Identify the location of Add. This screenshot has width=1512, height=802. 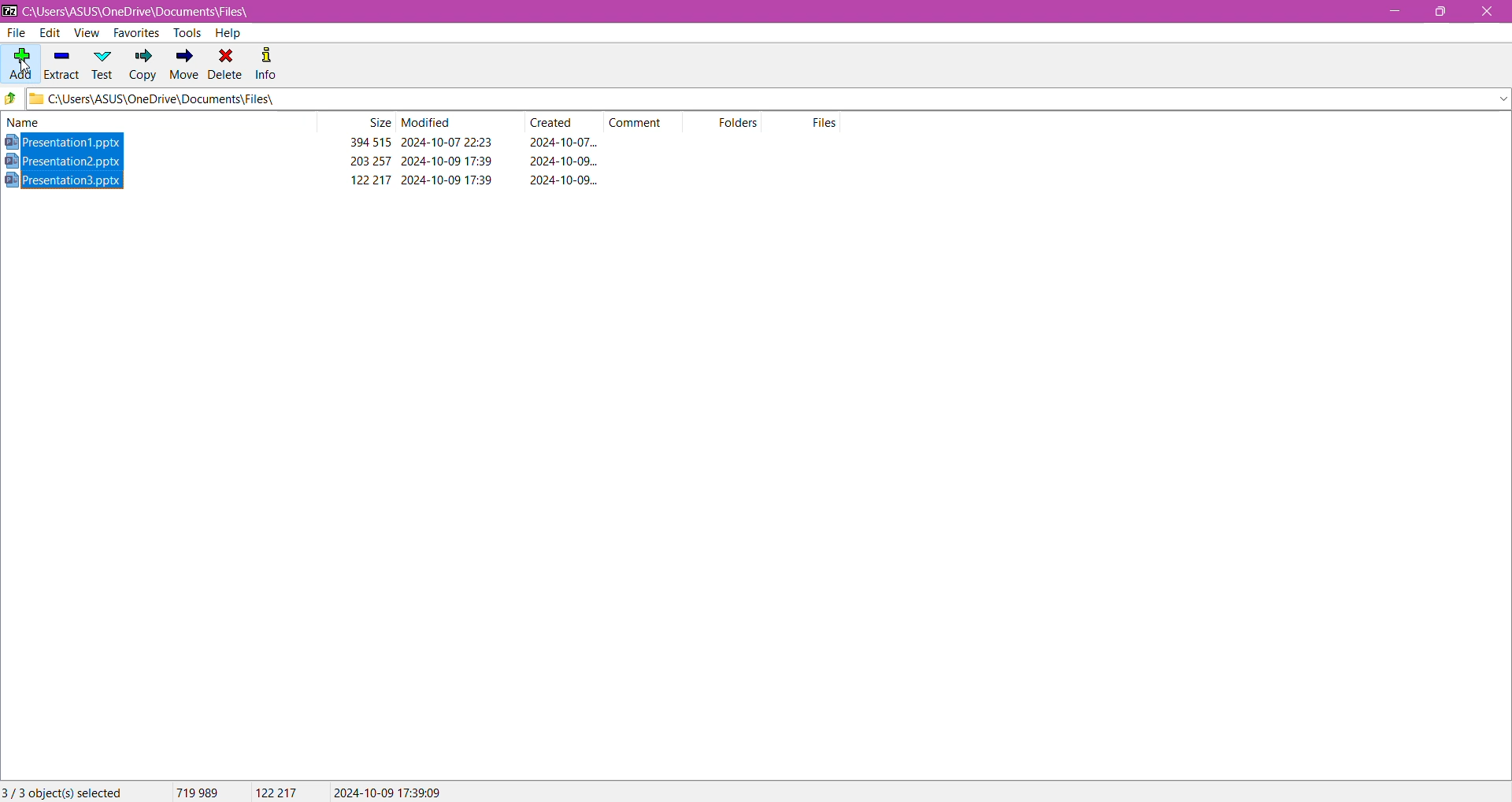
(19, 59).